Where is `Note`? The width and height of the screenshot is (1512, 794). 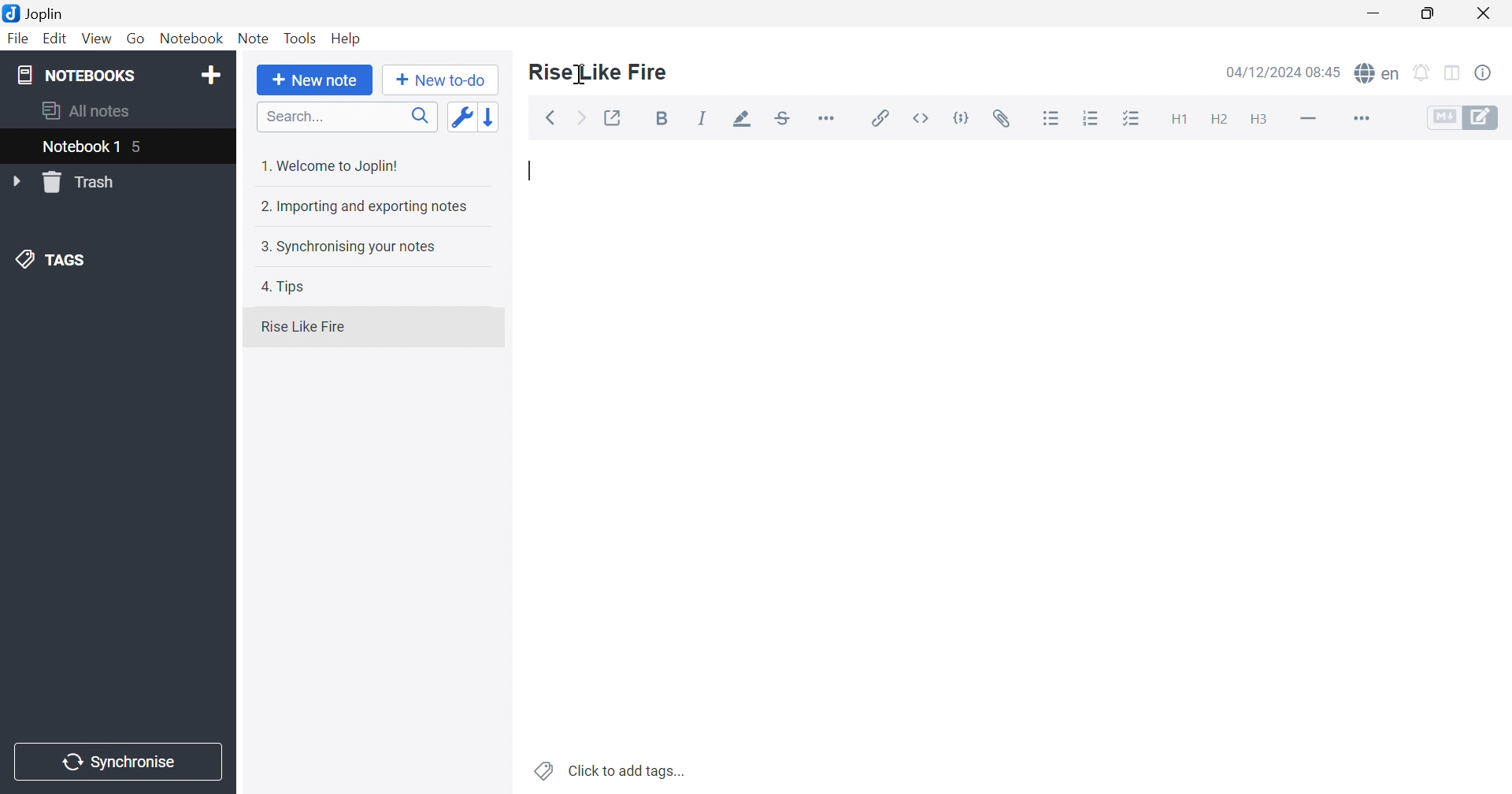 Note is located at coordinates (254, 39).